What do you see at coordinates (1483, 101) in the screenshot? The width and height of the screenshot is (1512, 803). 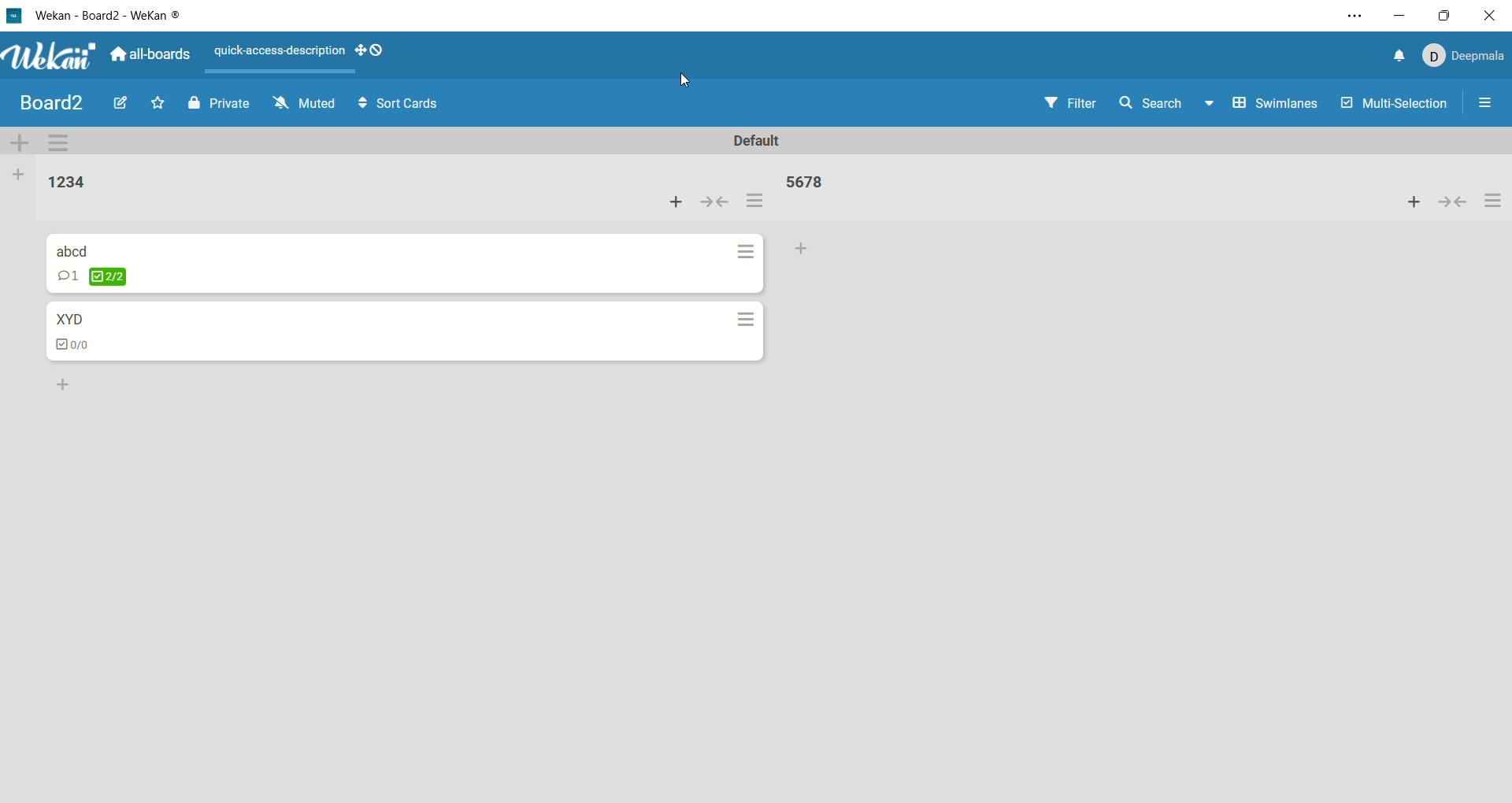 I see `options` at bounding box center [1483, 101].